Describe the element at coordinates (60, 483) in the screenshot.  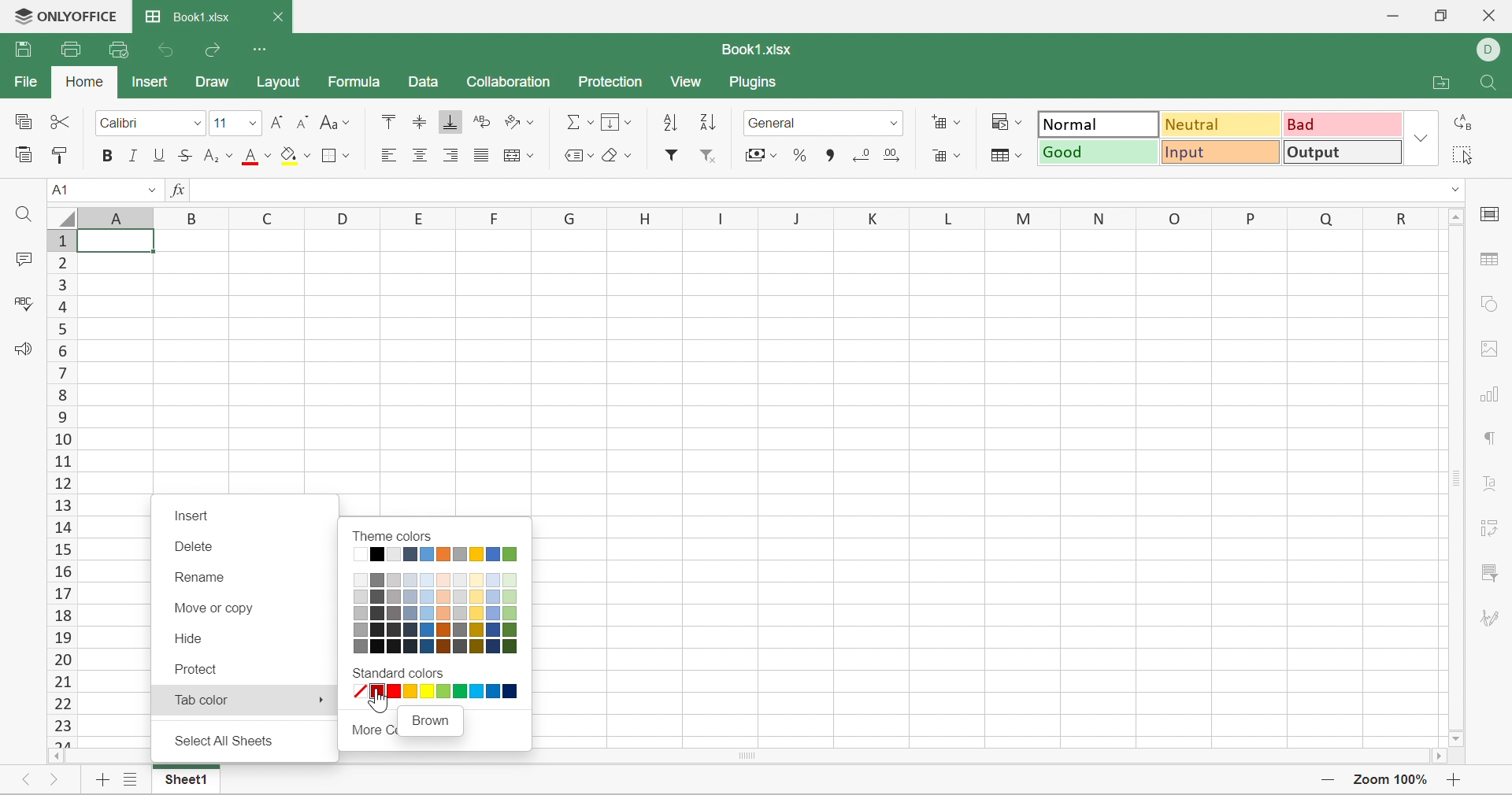
I see `12` at that location.